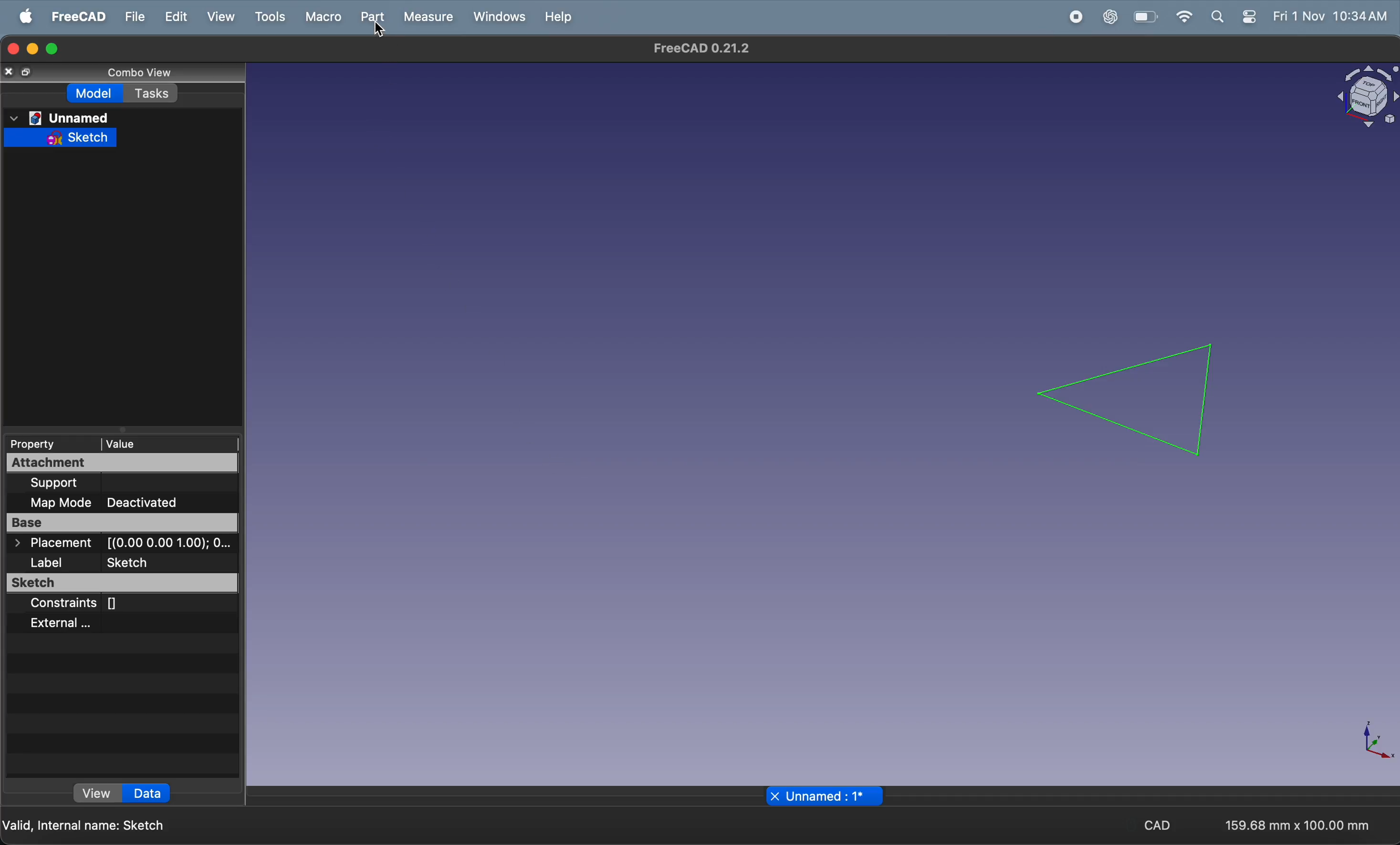  Describe the element at coordinates (53, 48) in the screenshot. I see `maximize` at that location.